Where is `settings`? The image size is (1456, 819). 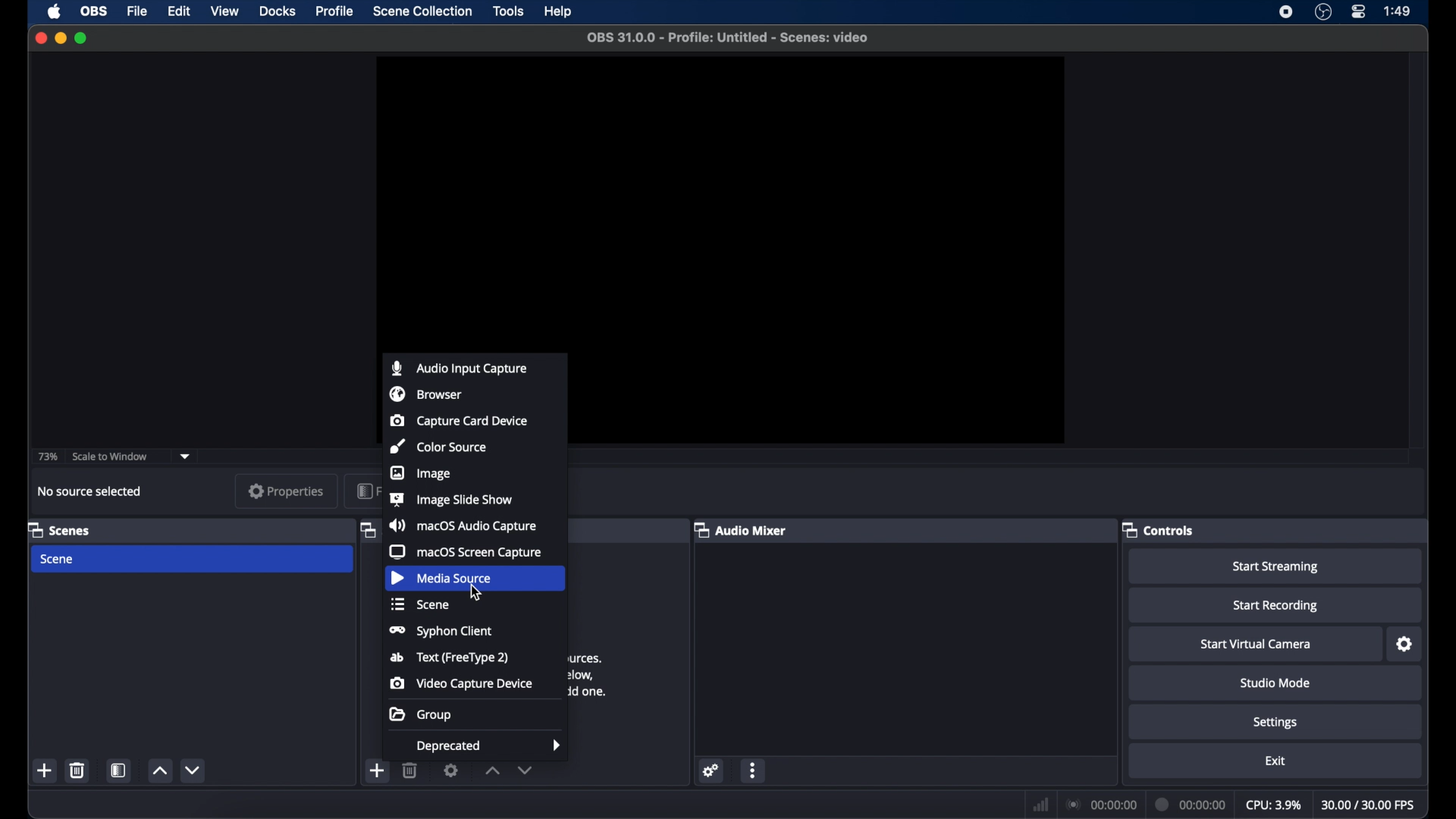
settings is located at coordinates (1277, 723).